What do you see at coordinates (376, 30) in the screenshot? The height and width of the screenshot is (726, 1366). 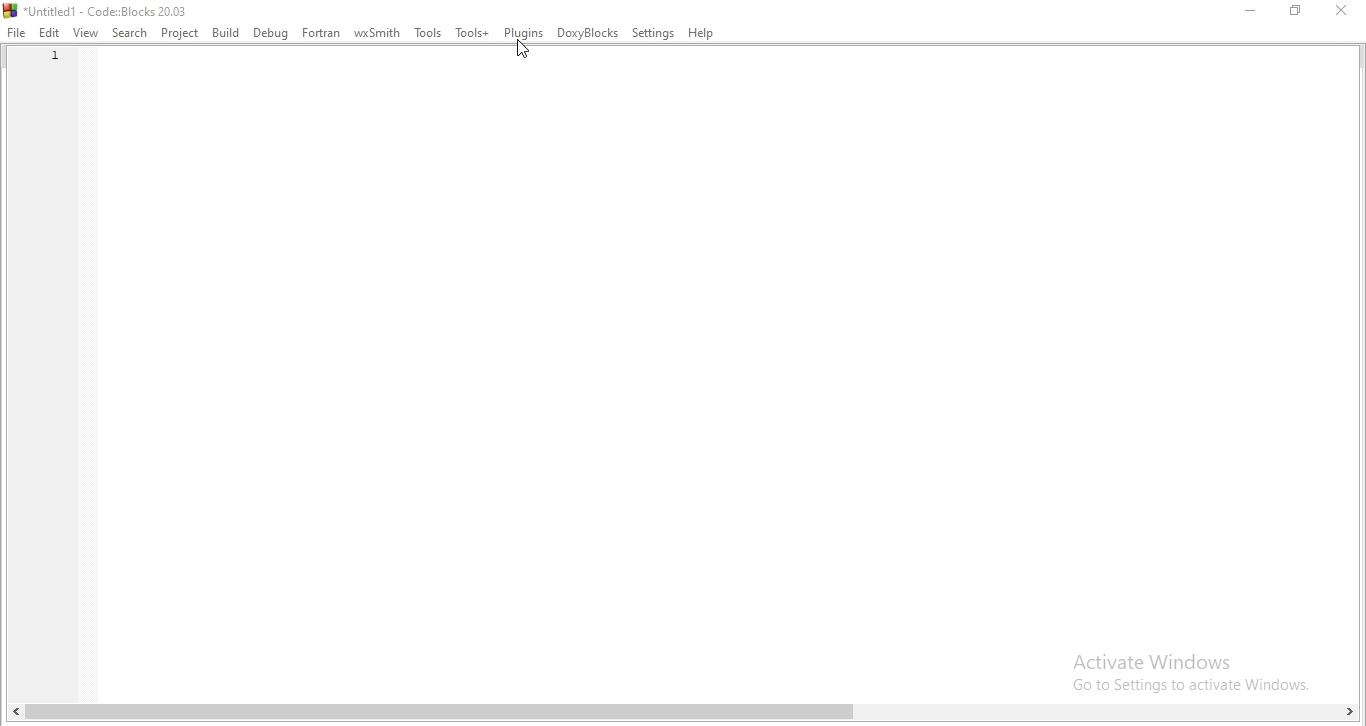 I see `wxSmith` at bounding box center [376, 30].